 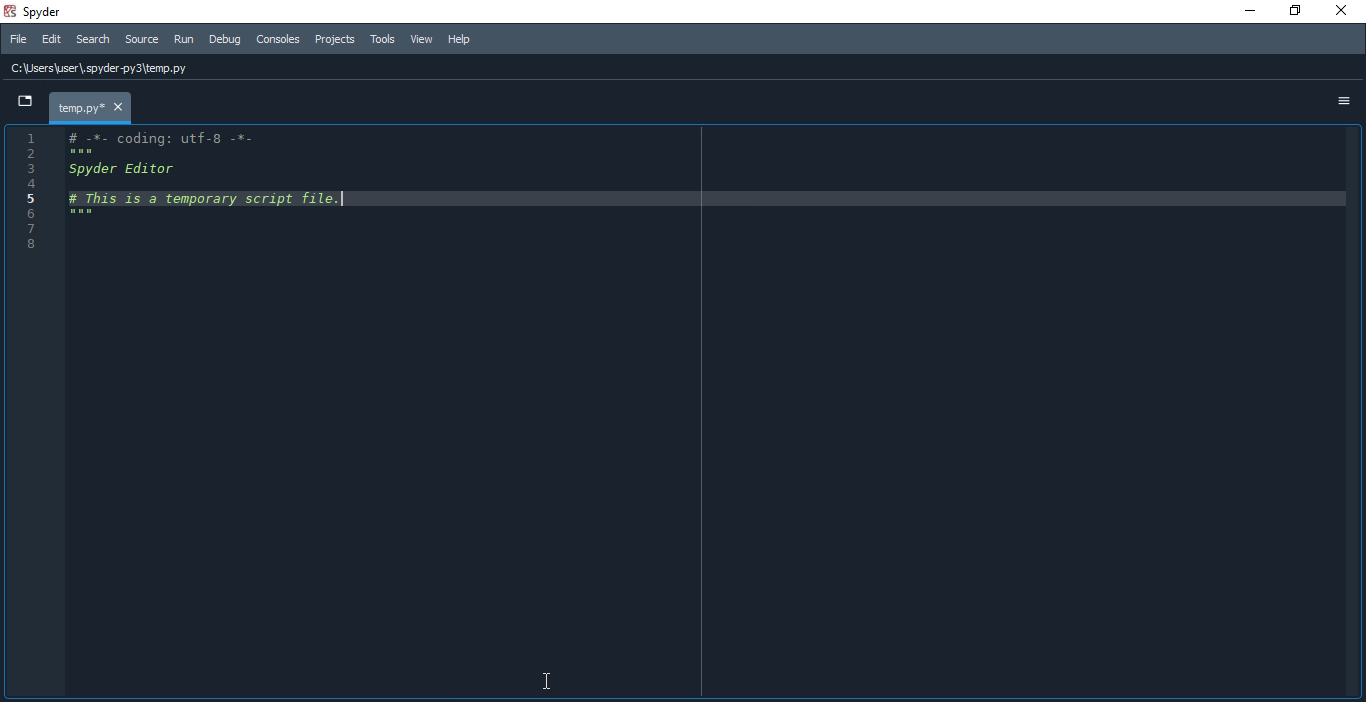 What do you see at coordinates (1243, 13) in the screenshot?
I see `minimise` at bounding box center [1243, 13].